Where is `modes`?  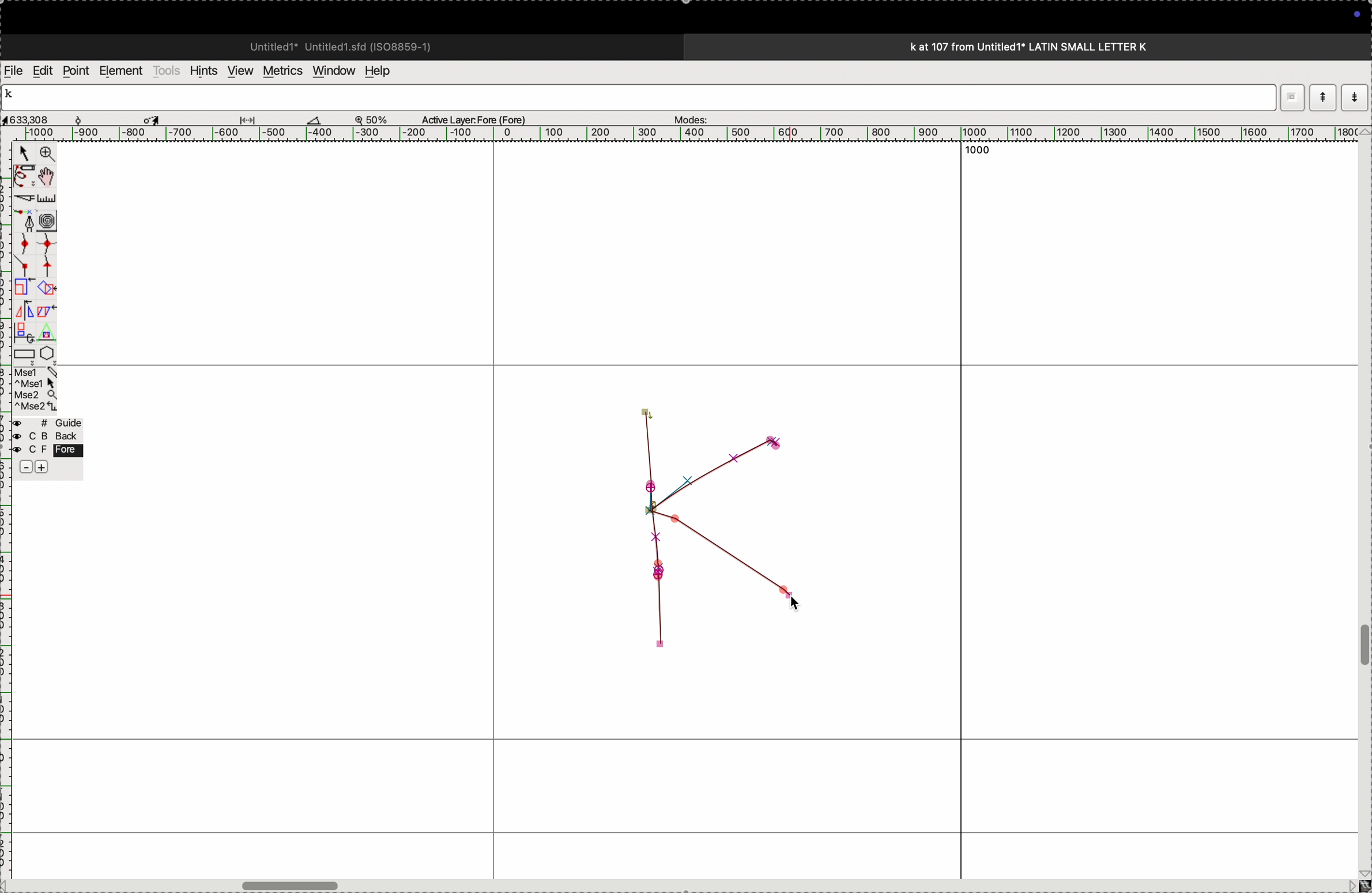 modes is located at coordinates (687, 116).